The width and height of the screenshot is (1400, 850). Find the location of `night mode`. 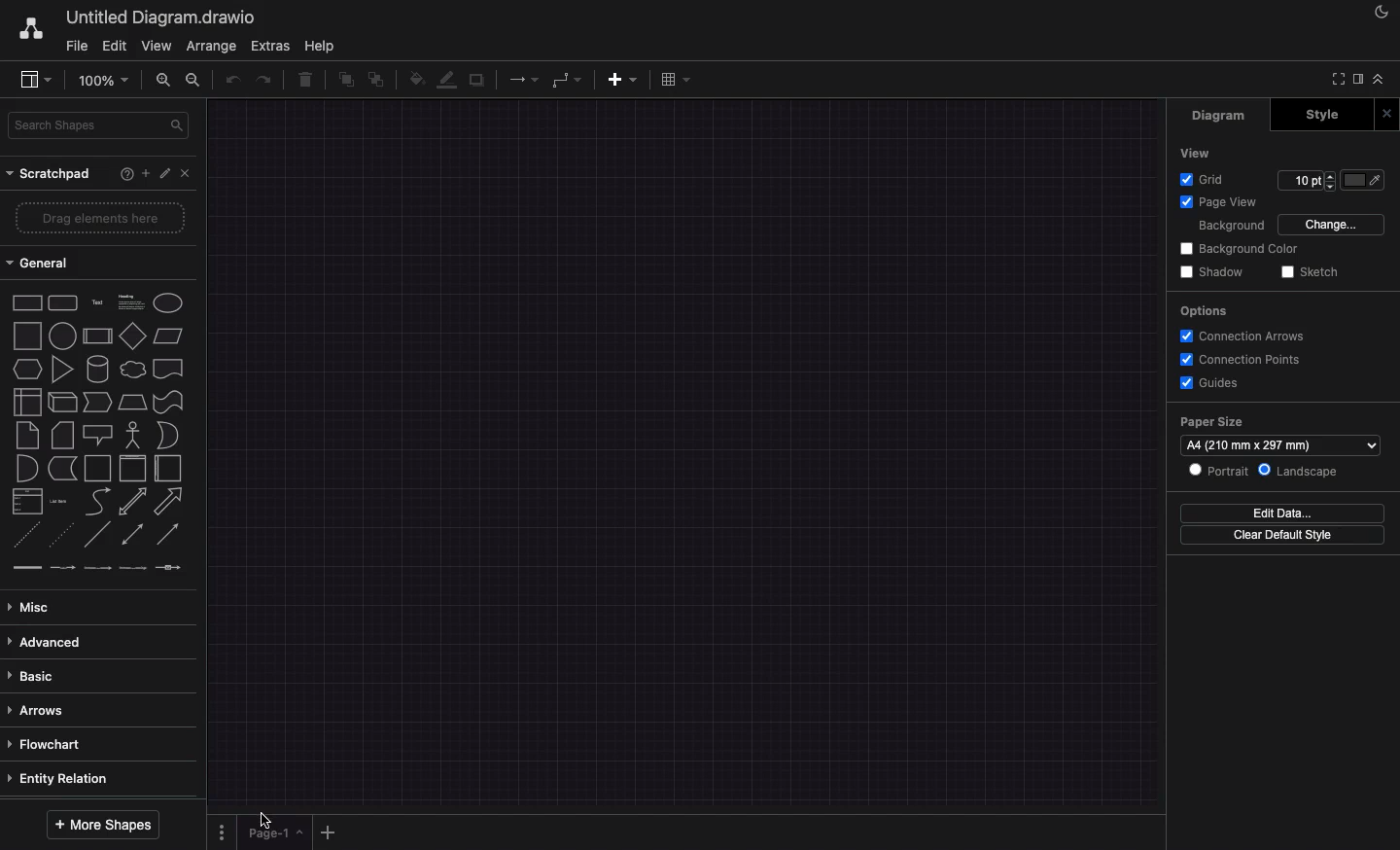

night mode is located at coordinates (1381, 12).